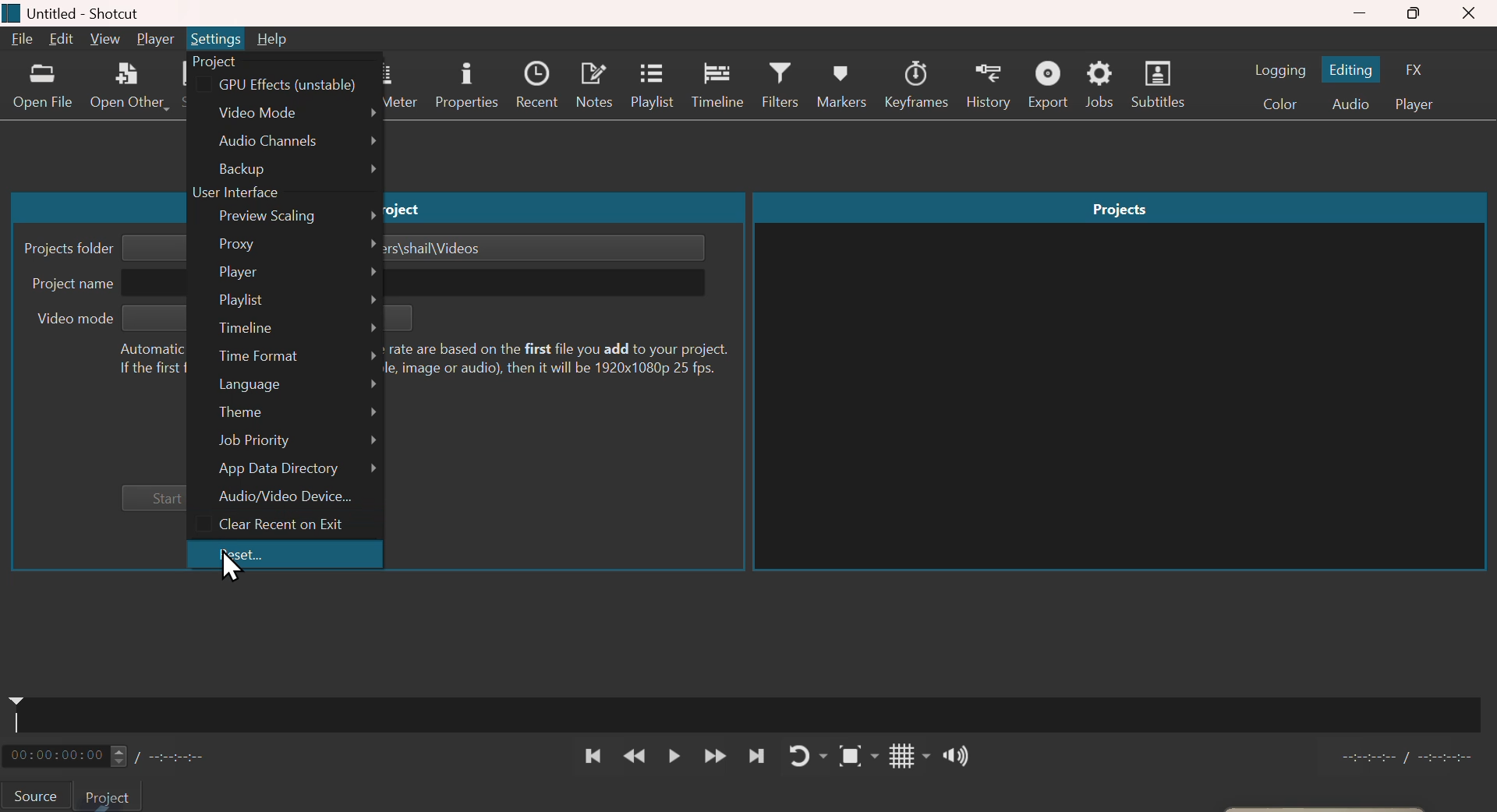 This screenshot has width=1497, height=812. I want to click on F X, so click(1423, 67).